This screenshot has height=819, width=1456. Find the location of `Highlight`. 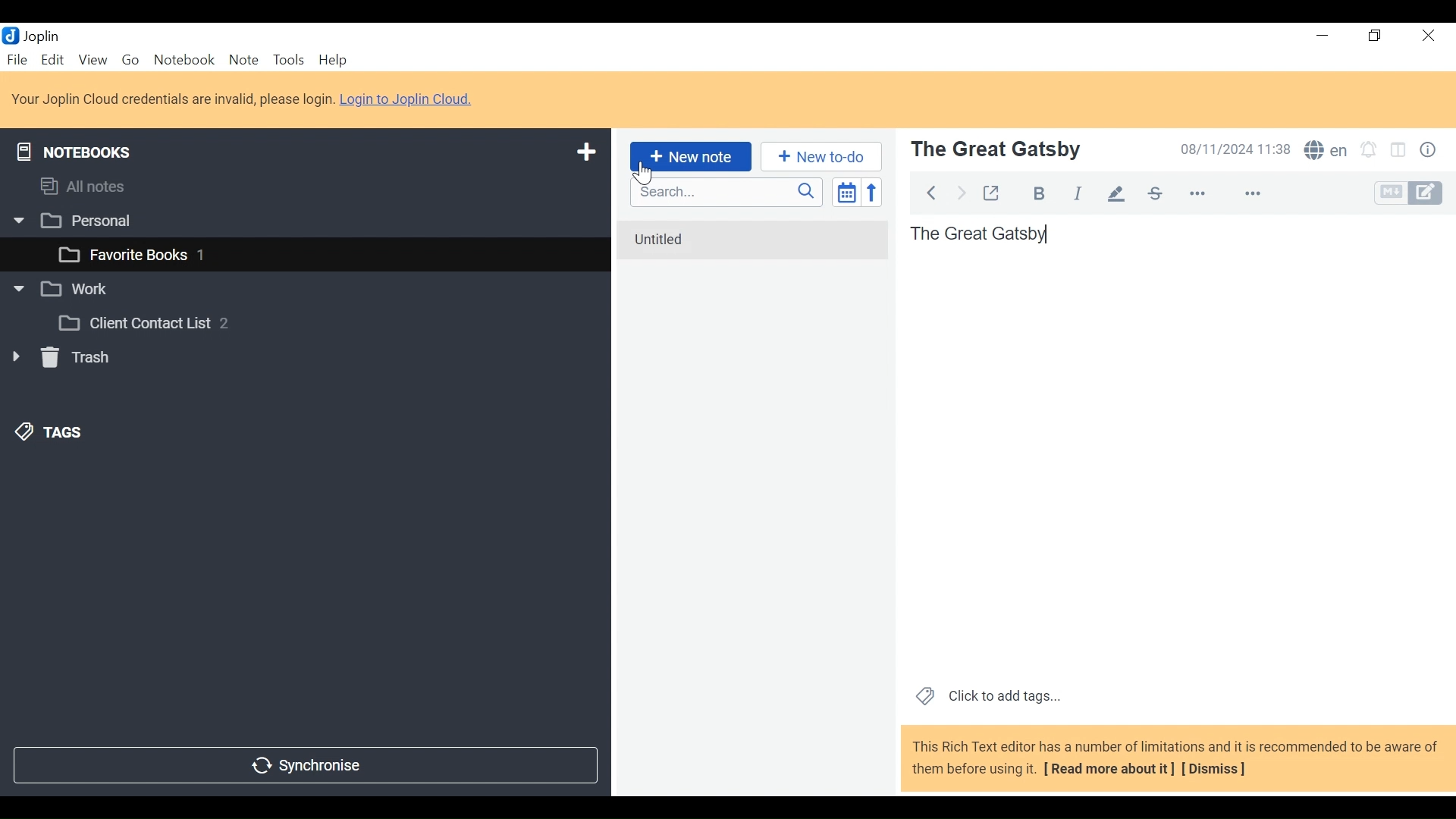

Highlight is located at coordinates (1116, 194).